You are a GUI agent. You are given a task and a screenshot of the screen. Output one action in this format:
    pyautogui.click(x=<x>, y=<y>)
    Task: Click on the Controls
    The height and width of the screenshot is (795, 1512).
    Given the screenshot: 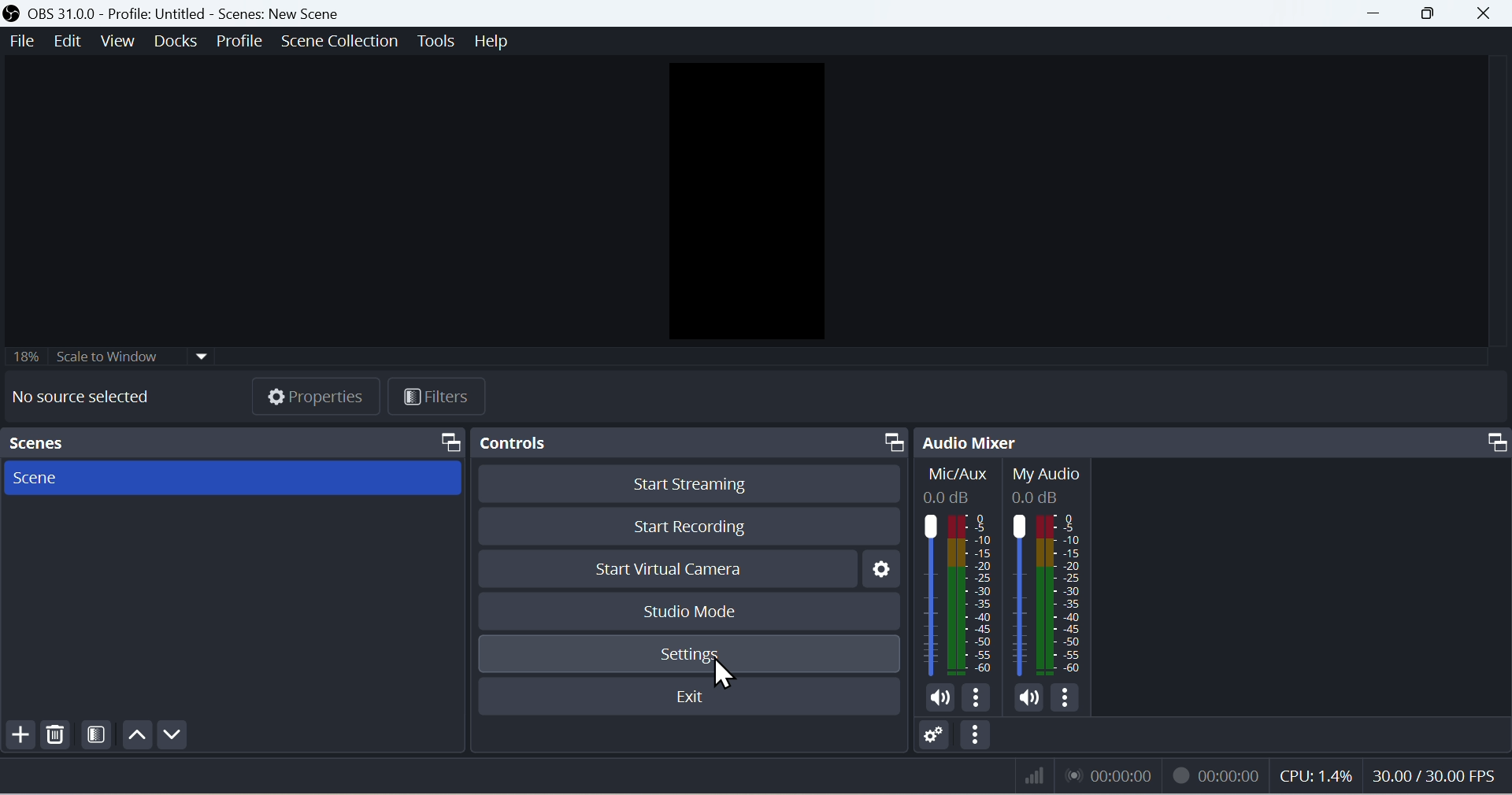 What is the action you would take?
    pyautogui.click(x=690, y=439)
    